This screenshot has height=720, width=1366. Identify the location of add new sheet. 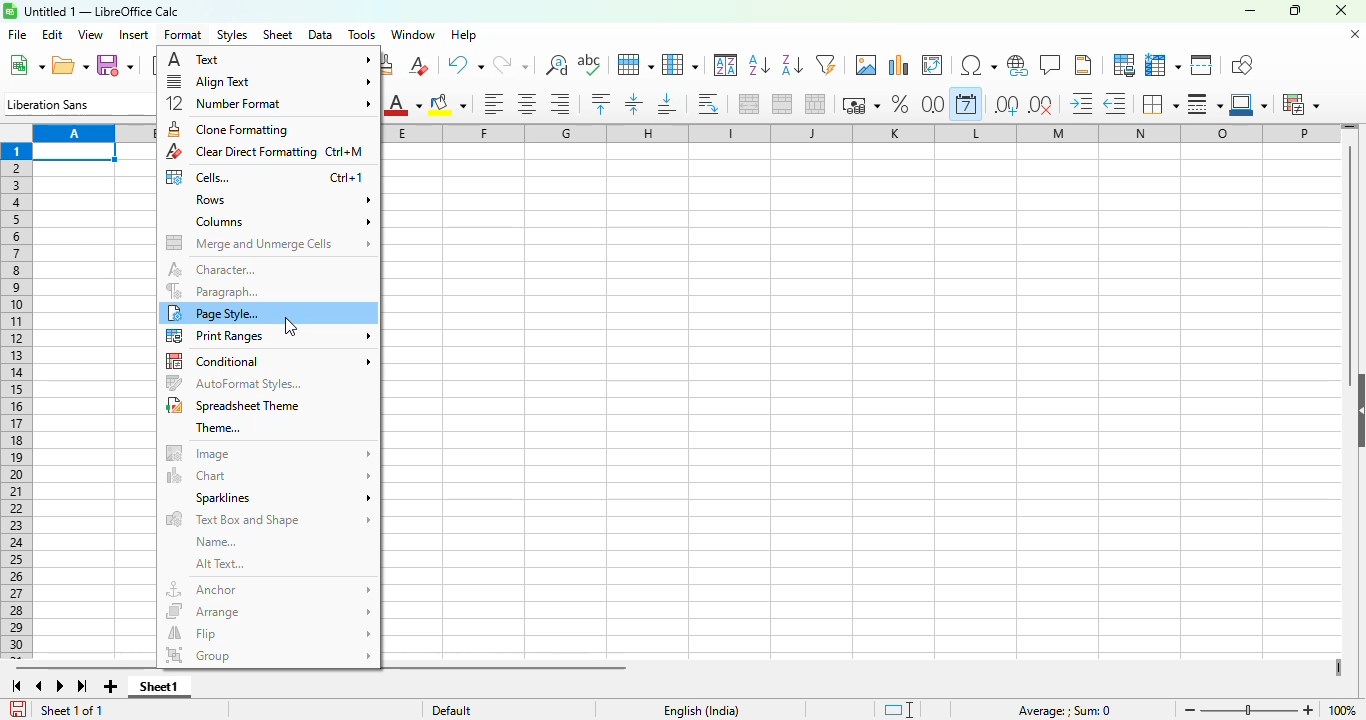
(111, 687).